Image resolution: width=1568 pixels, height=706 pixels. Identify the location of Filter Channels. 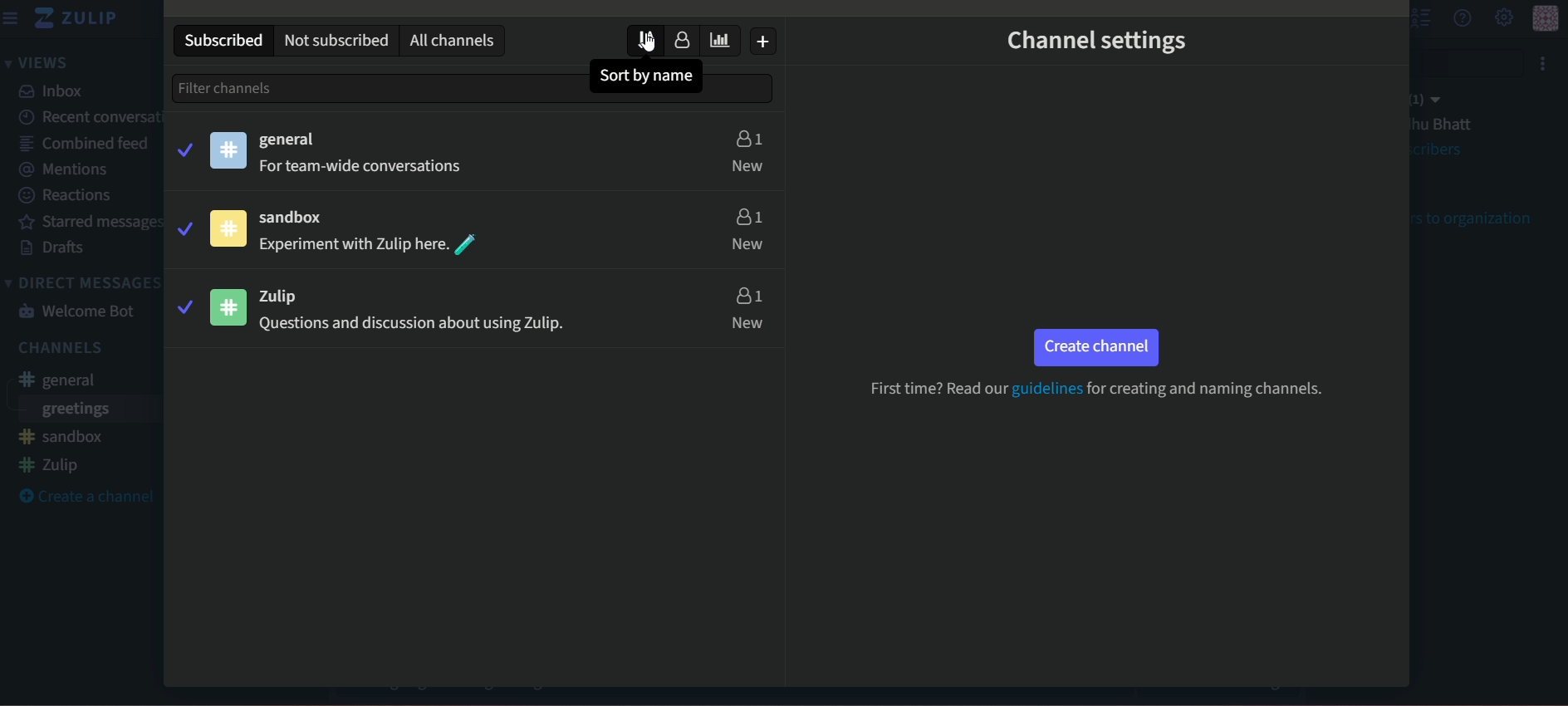
(252, 88).